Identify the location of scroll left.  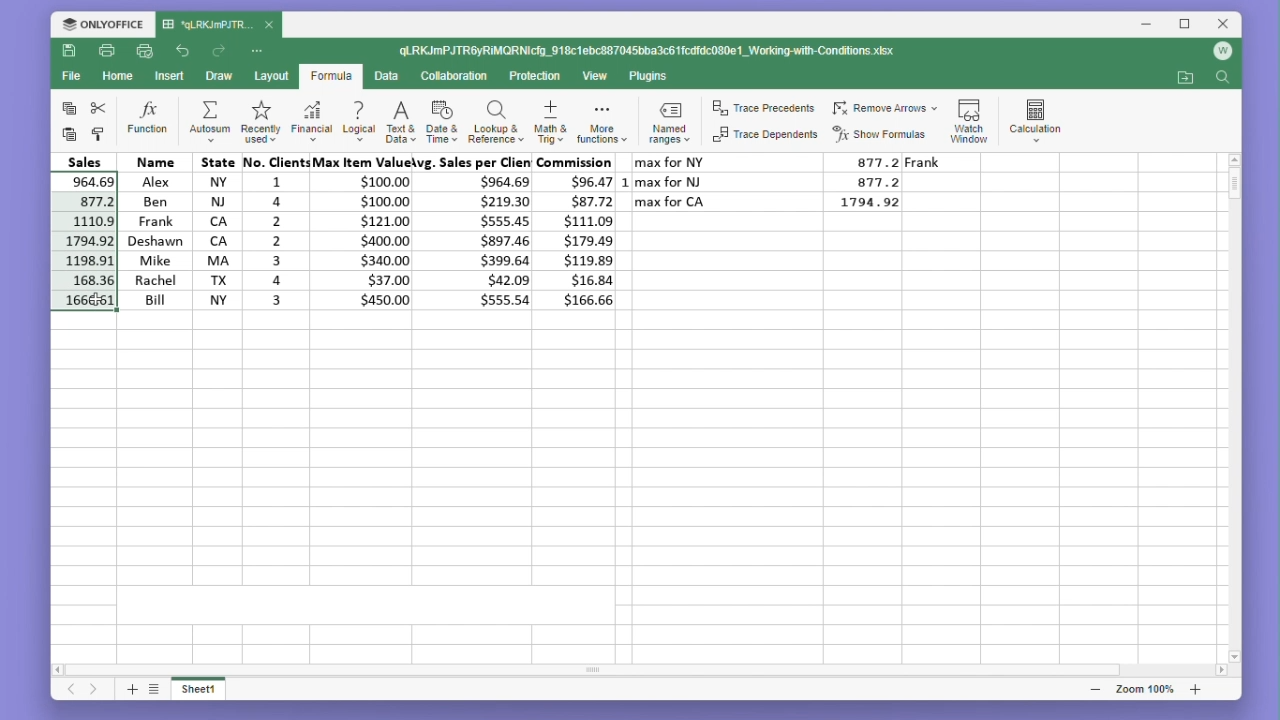
(61, 672).